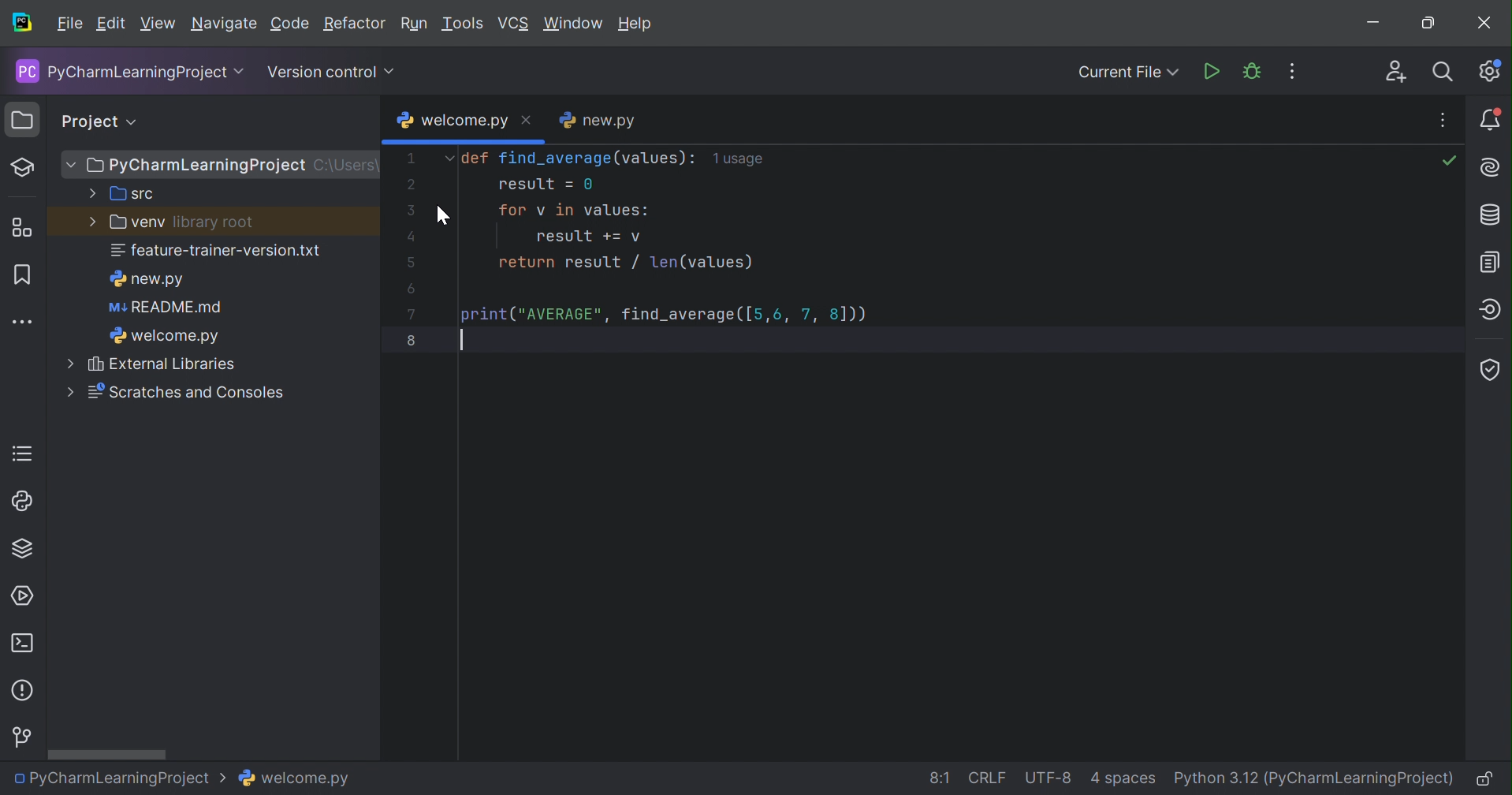 The image size is (1512, 795). What do you see at coordinates (598, 120) in the screenshot?
I see `new.py` at bounding box center [598, 120].